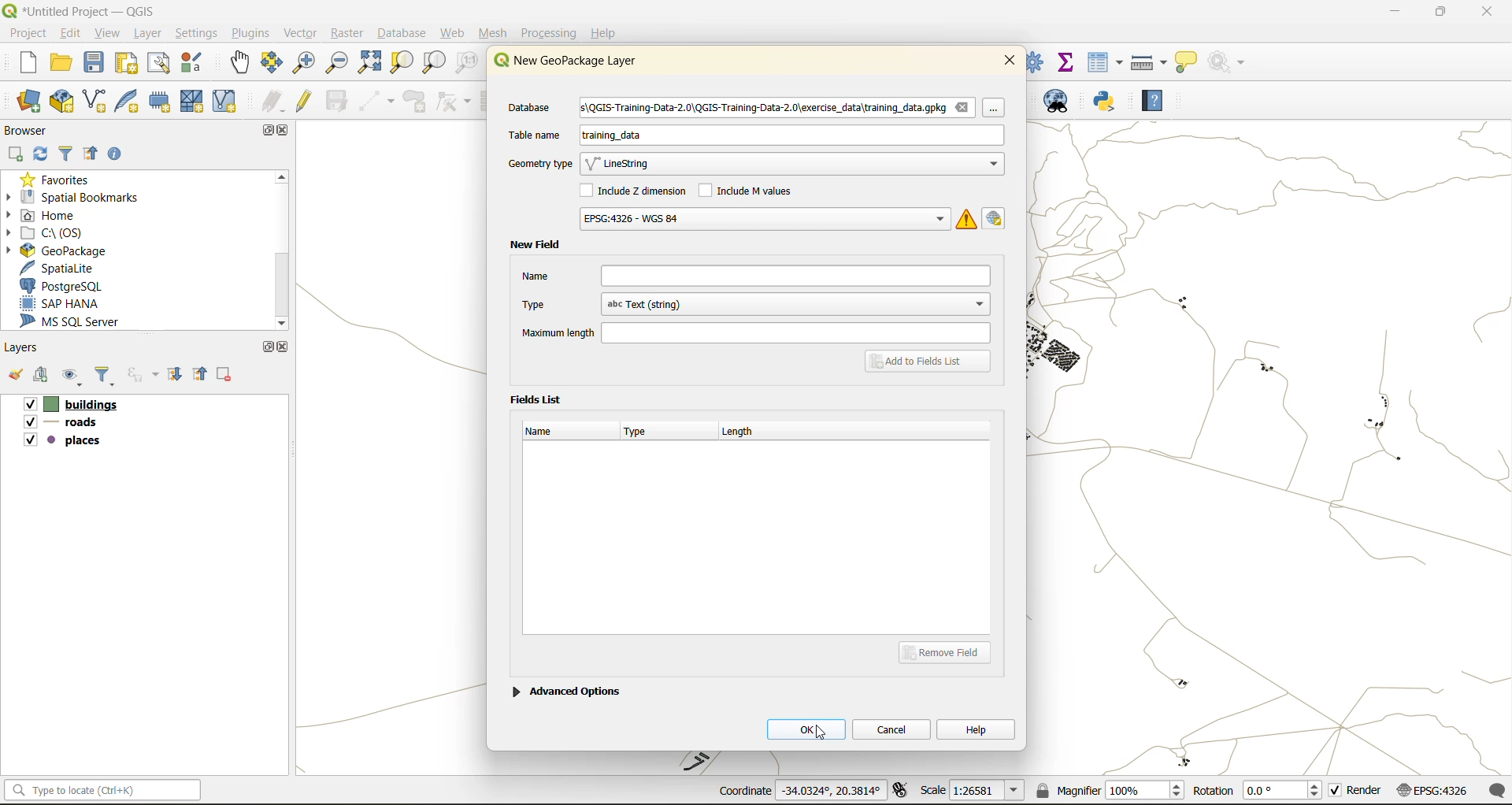 The height and width of the screenshot is (805, 1512). I want to click on save, so click(95, 66).